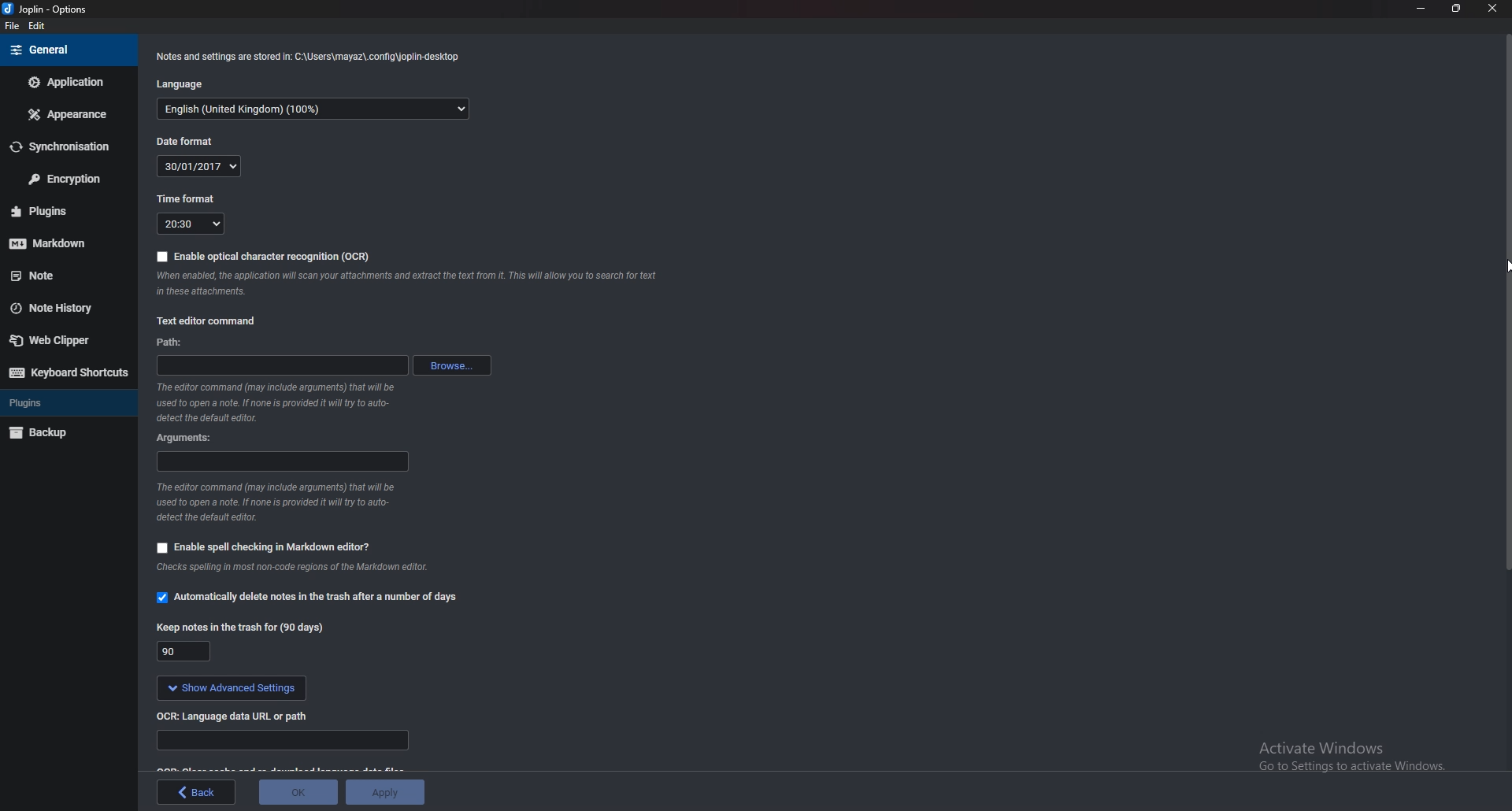 This screenshot has height=811, width=1512. What do you see at coordinates (190, 224) in the screenshot?
I see `20:30` at bounding box center [190, 224].